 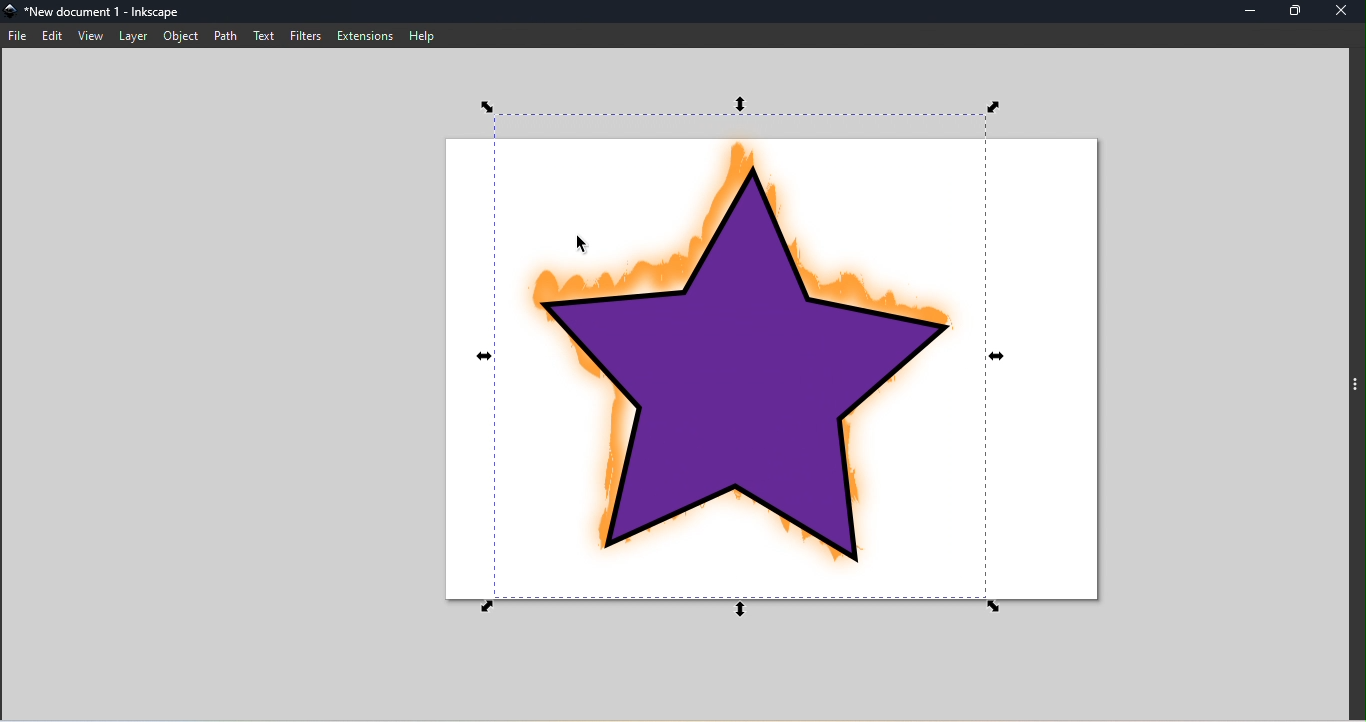 I want to click on Maximize, so click(x=1297, y=13).